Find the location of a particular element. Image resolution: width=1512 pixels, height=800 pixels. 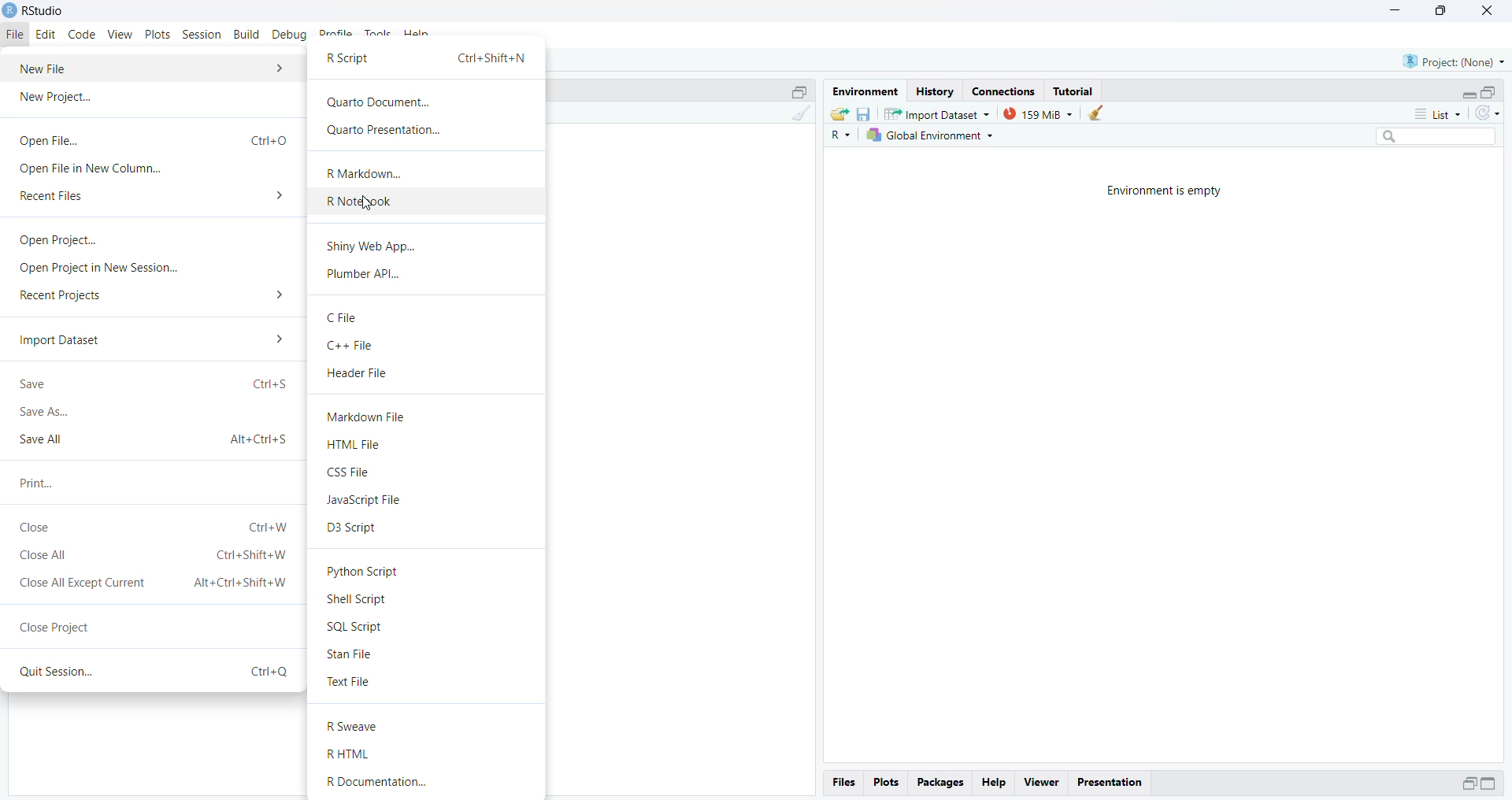

project(None) is located at coordinates (1453, 62).